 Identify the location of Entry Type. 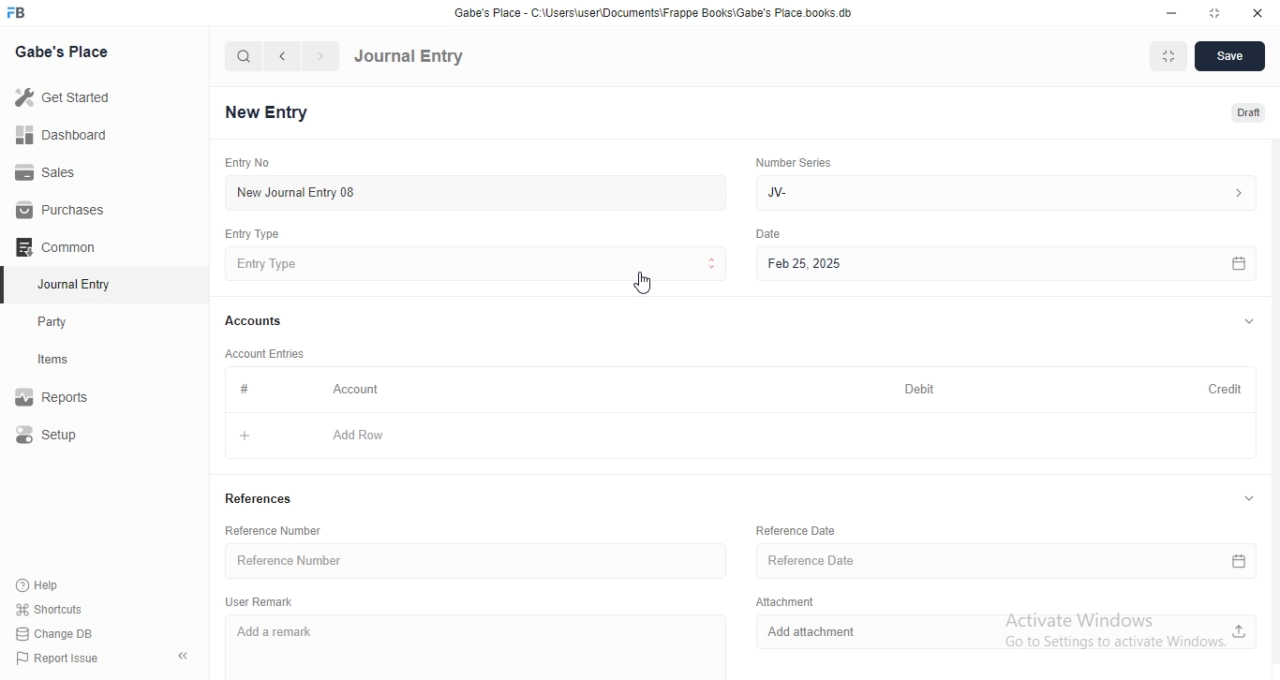
(474, 265).